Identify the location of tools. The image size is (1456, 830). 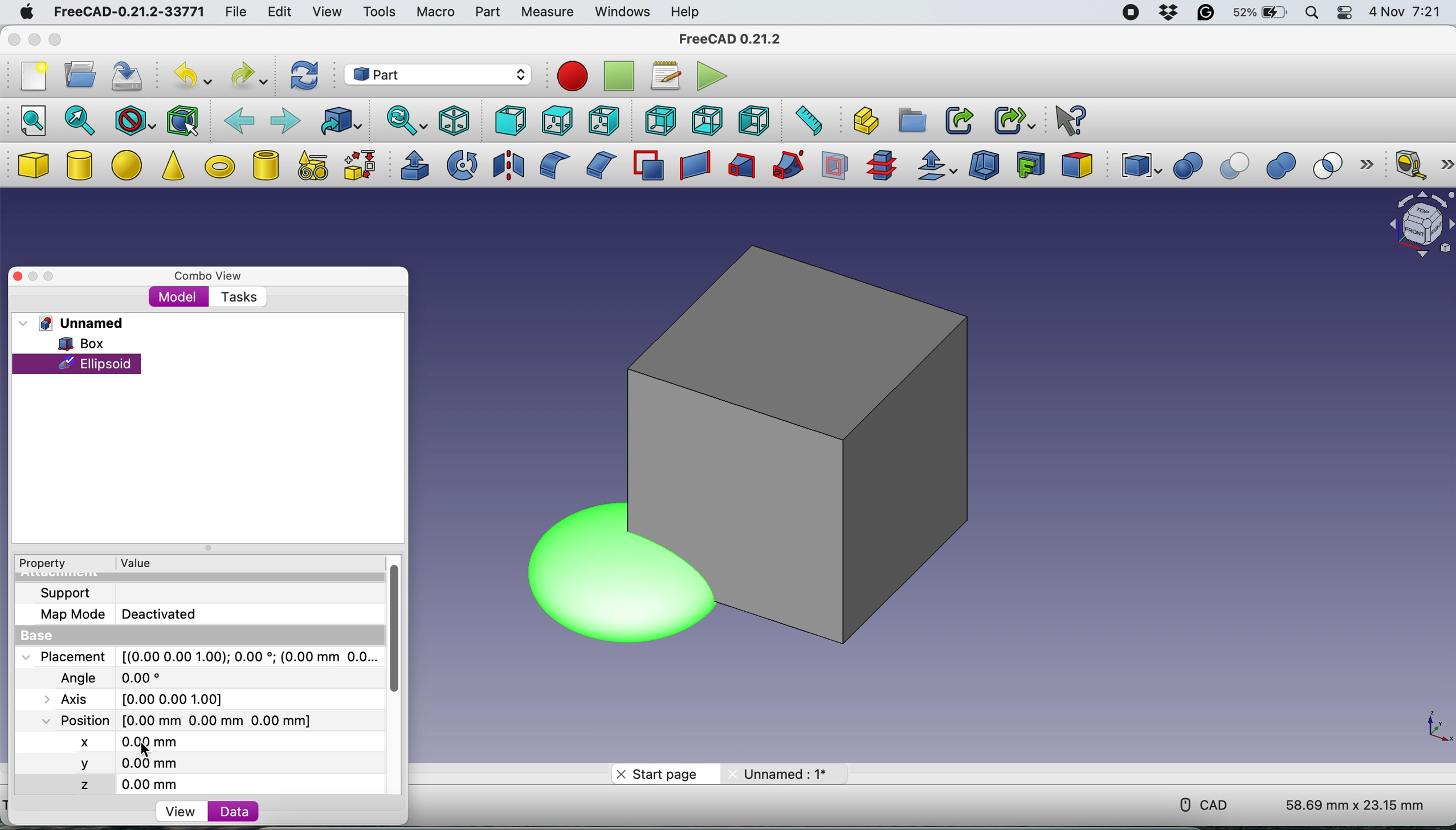
(382, 15).